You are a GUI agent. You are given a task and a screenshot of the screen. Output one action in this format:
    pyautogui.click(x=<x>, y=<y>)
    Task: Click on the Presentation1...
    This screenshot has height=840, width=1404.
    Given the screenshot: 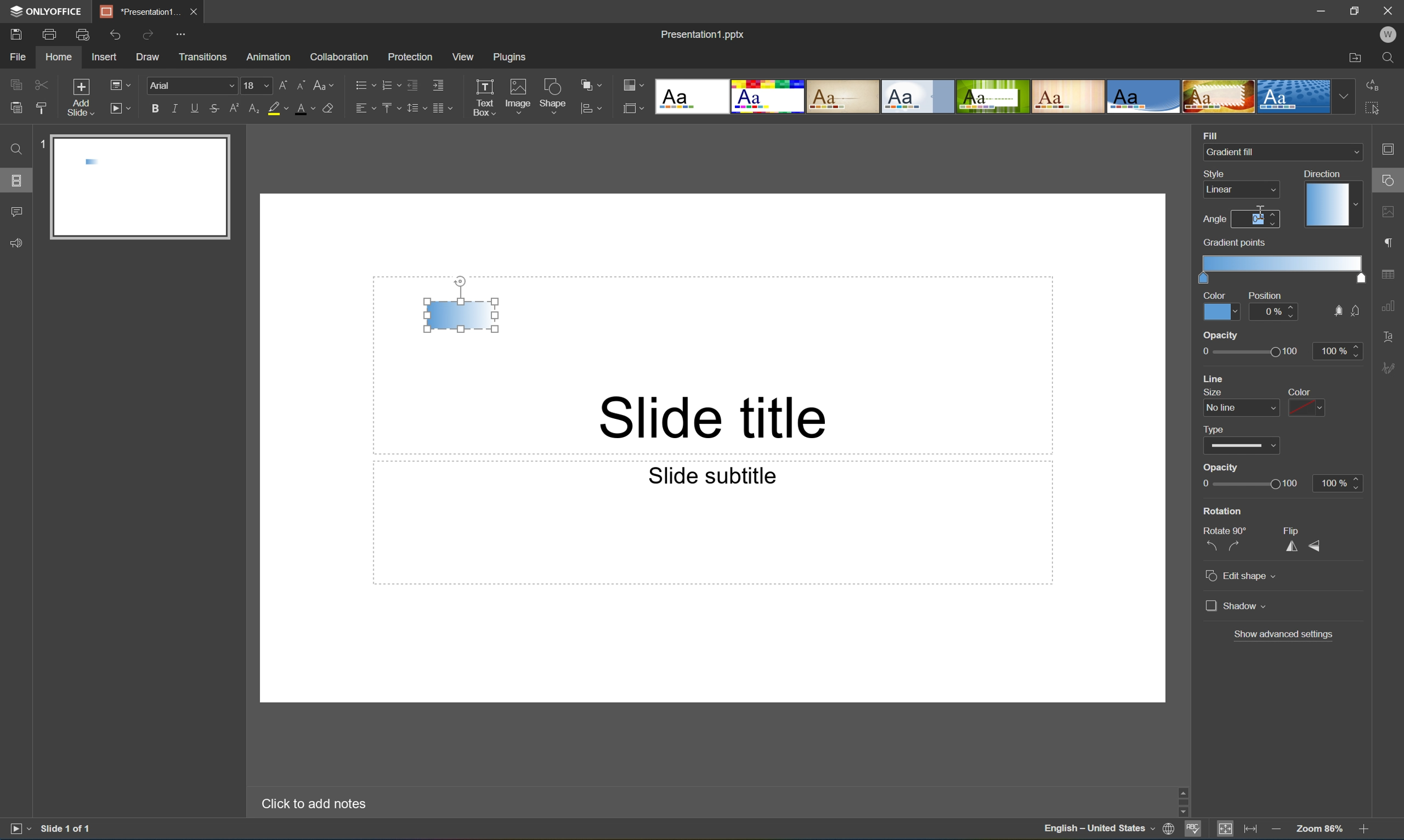 What is the action you would take?
    pyautogui.click(x=136, y=11)
    